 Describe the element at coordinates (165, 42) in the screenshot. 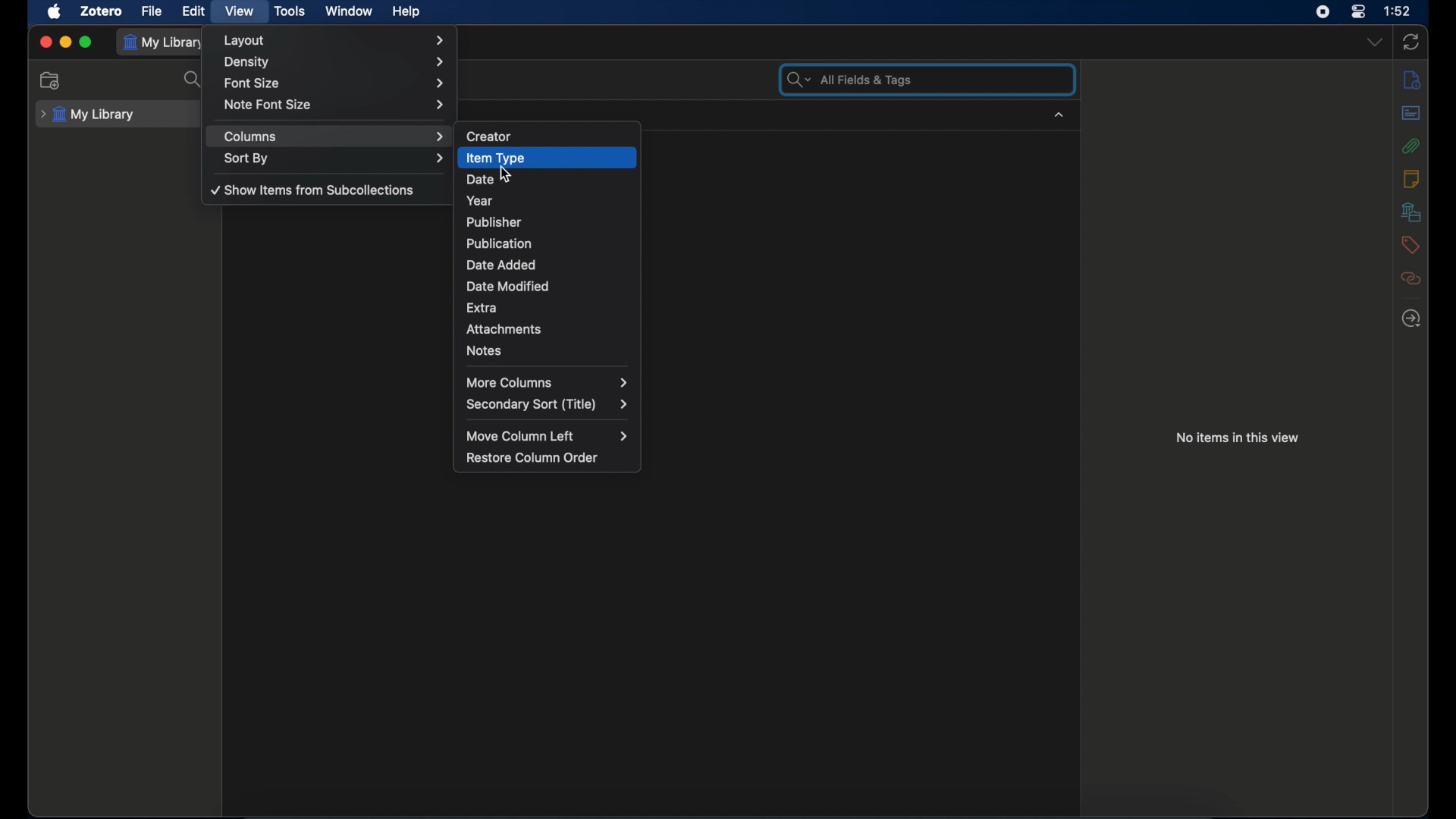

I see `my library` at that location.